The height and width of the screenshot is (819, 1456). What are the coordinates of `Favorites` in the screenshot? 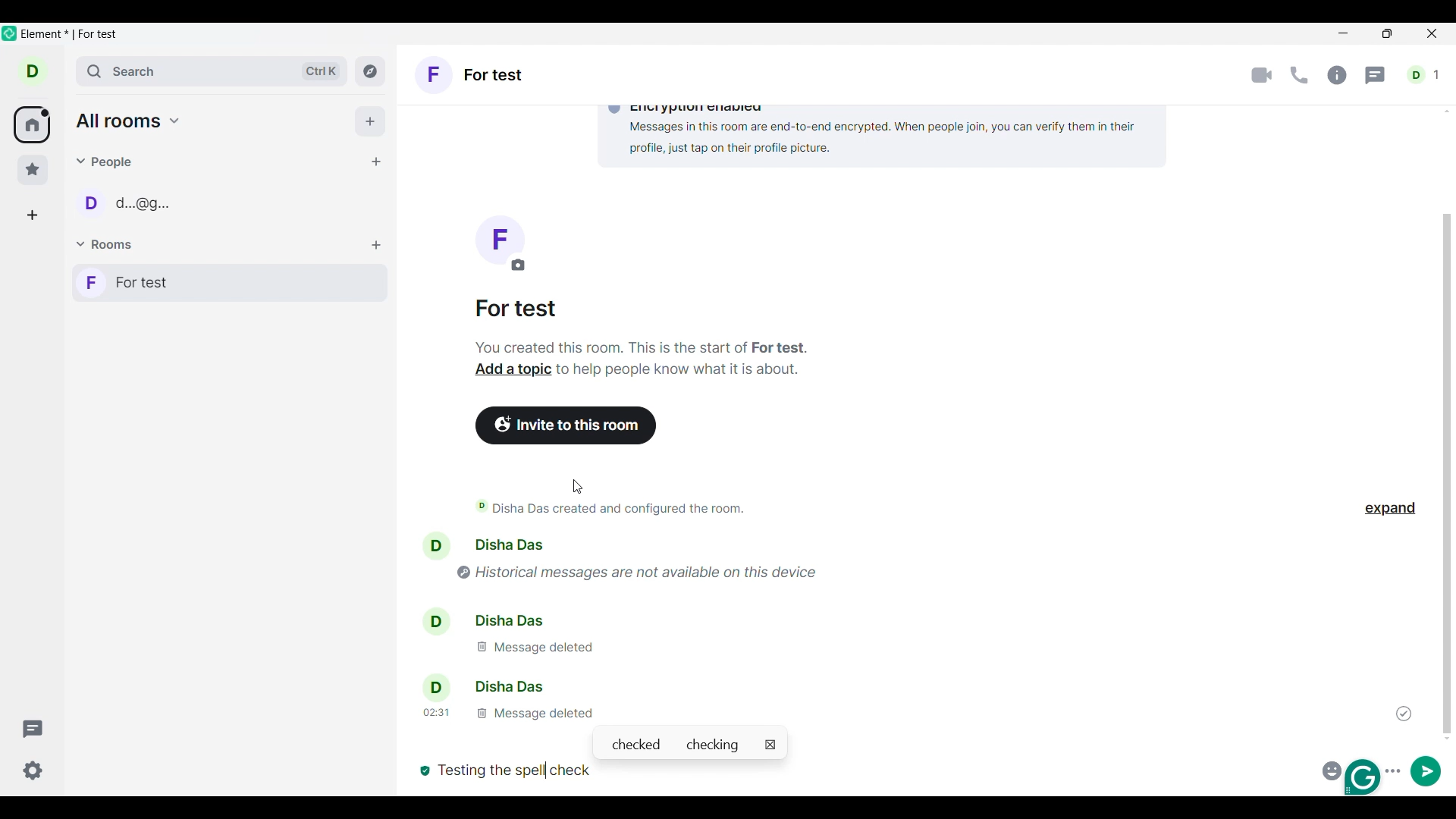 It's located at (33, 170).